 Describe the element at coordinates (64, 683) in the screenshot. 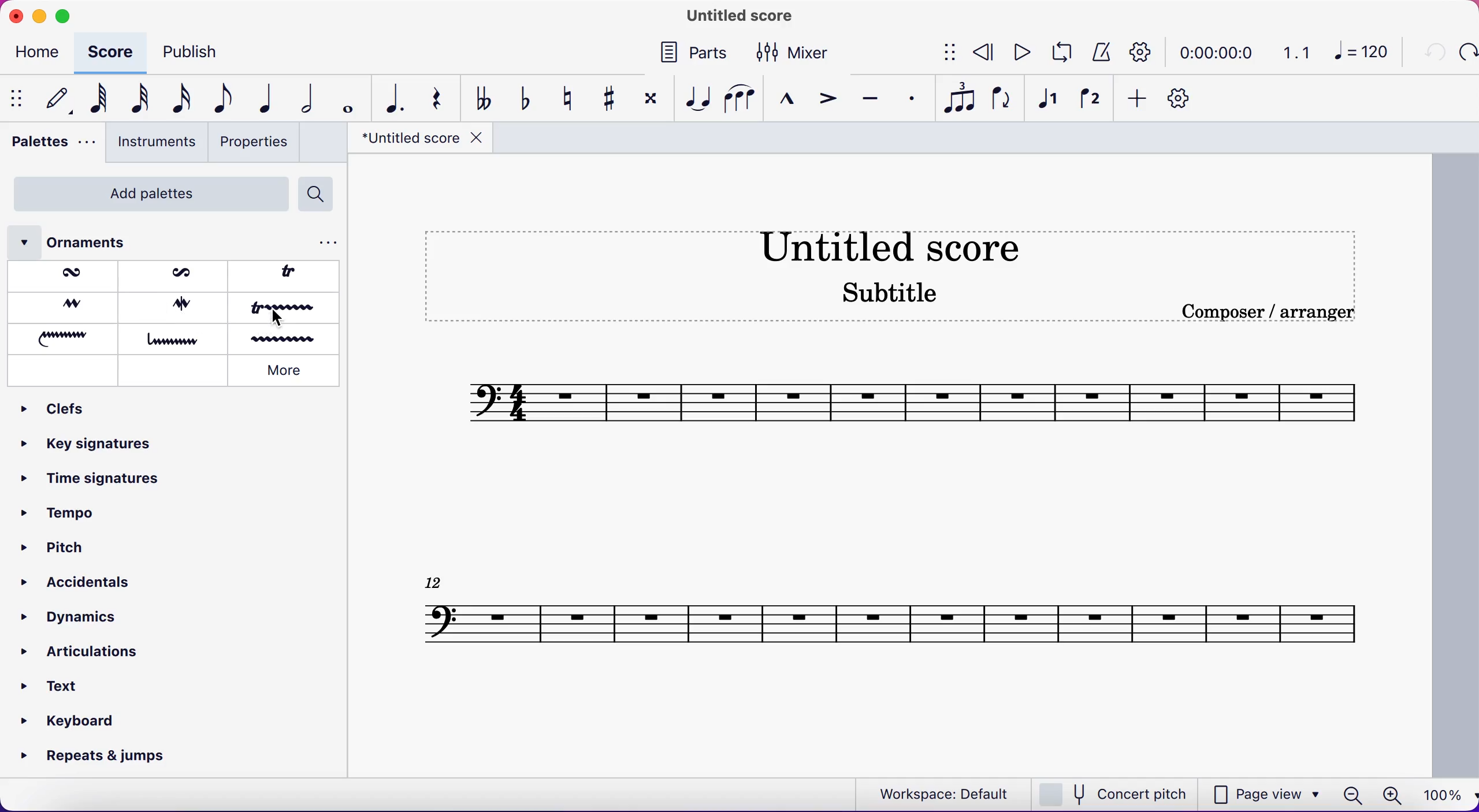

I see `text` at that location.